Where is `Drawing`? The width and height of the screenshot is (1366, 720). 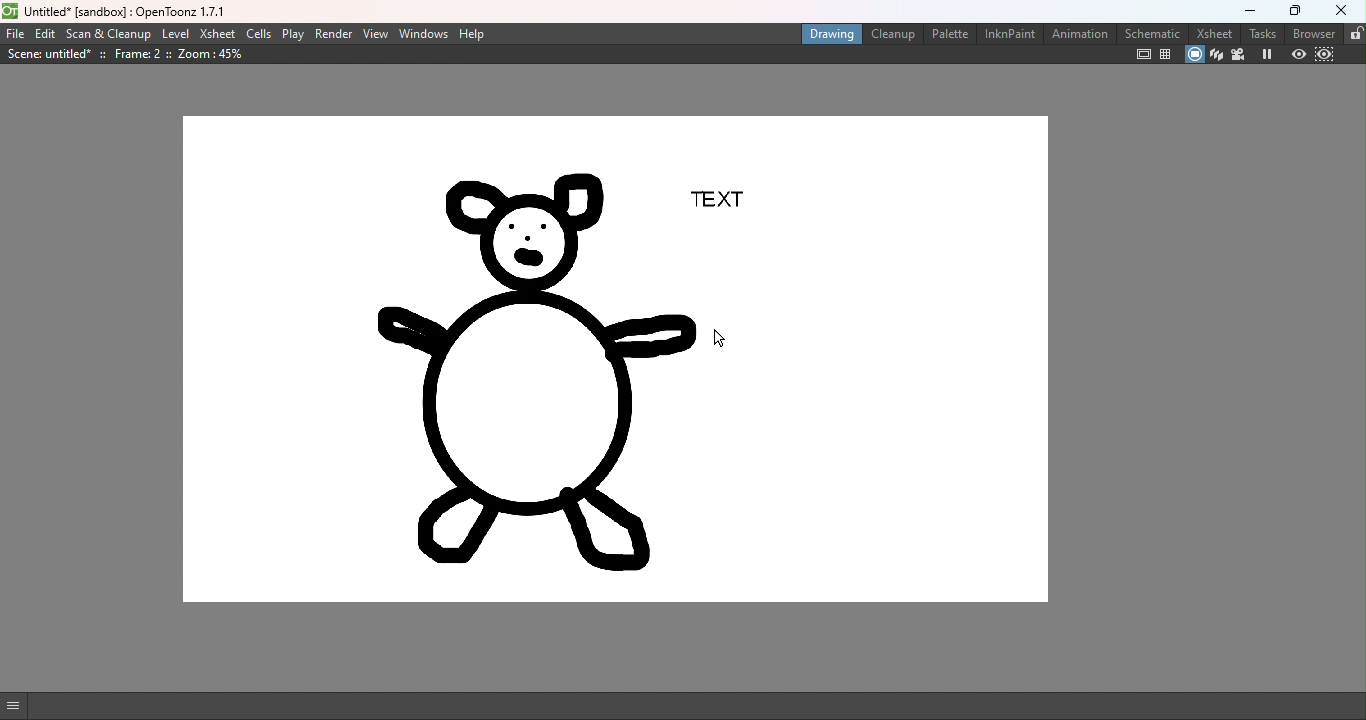 Drawing is located at coordinates (830, 35).